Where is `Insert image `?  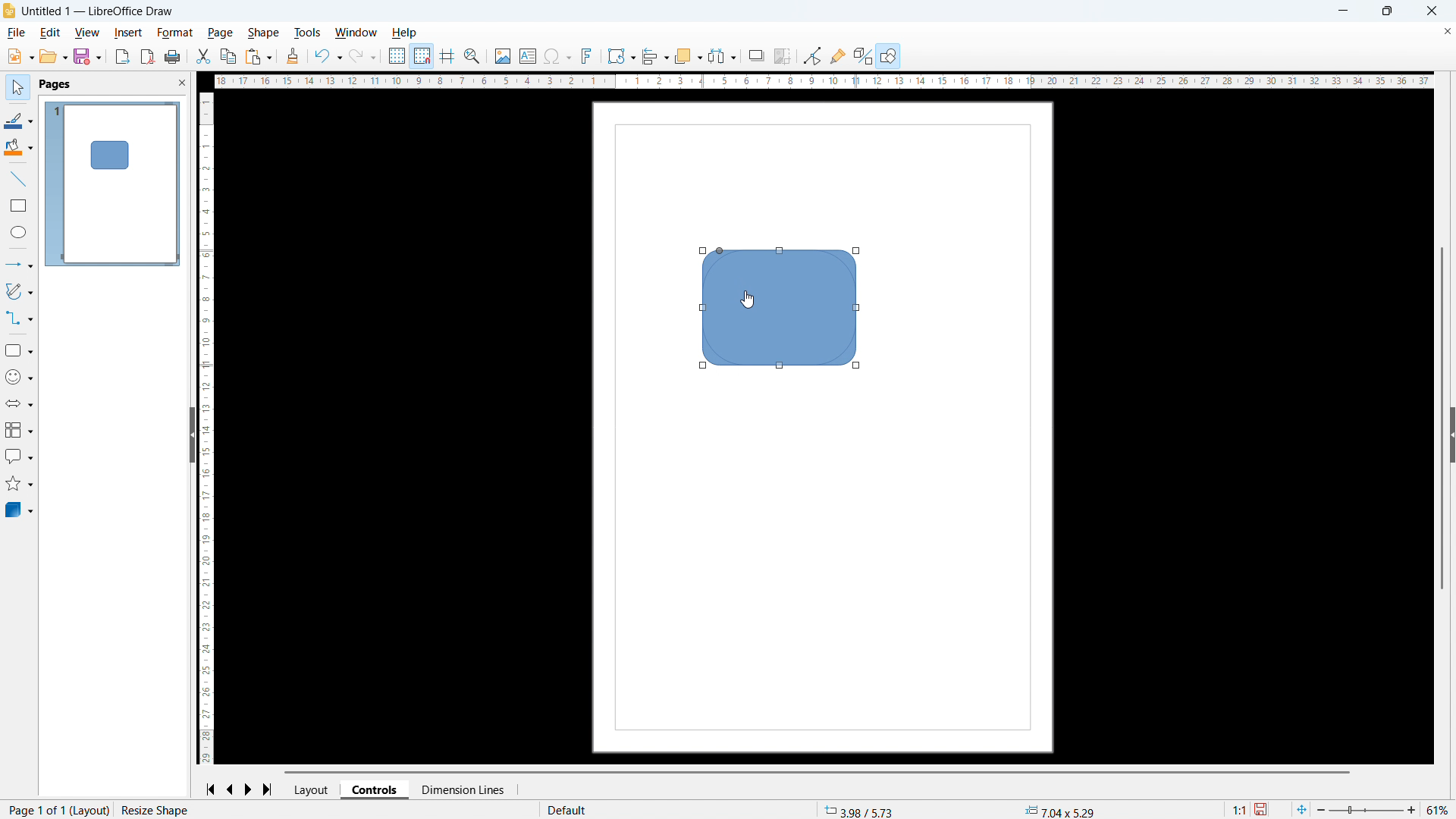 Insert image  is located at coordinates (502, 55).